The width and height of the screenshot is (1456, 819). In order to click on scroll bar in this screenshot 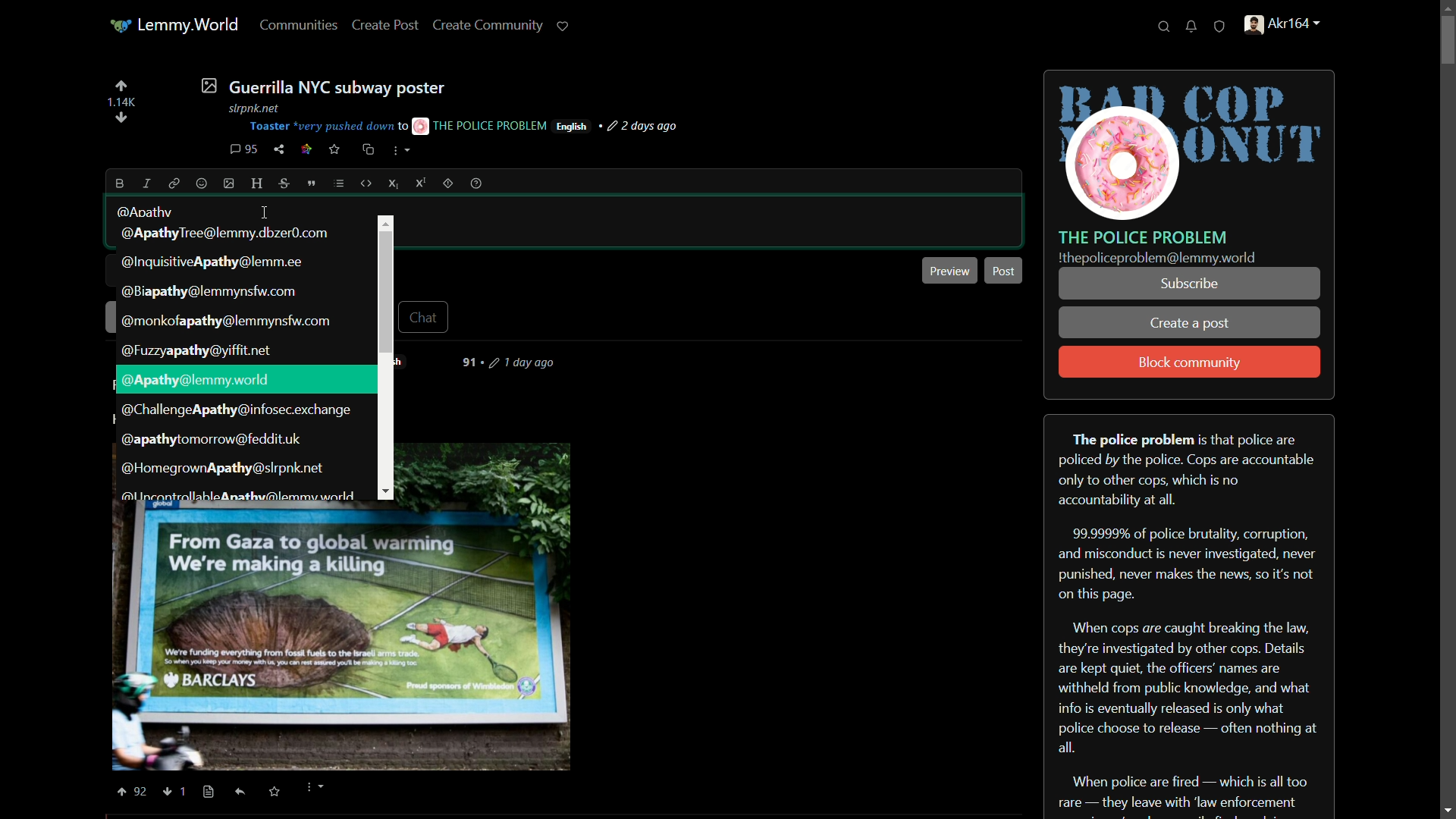, I will do `click(385, 290)`.